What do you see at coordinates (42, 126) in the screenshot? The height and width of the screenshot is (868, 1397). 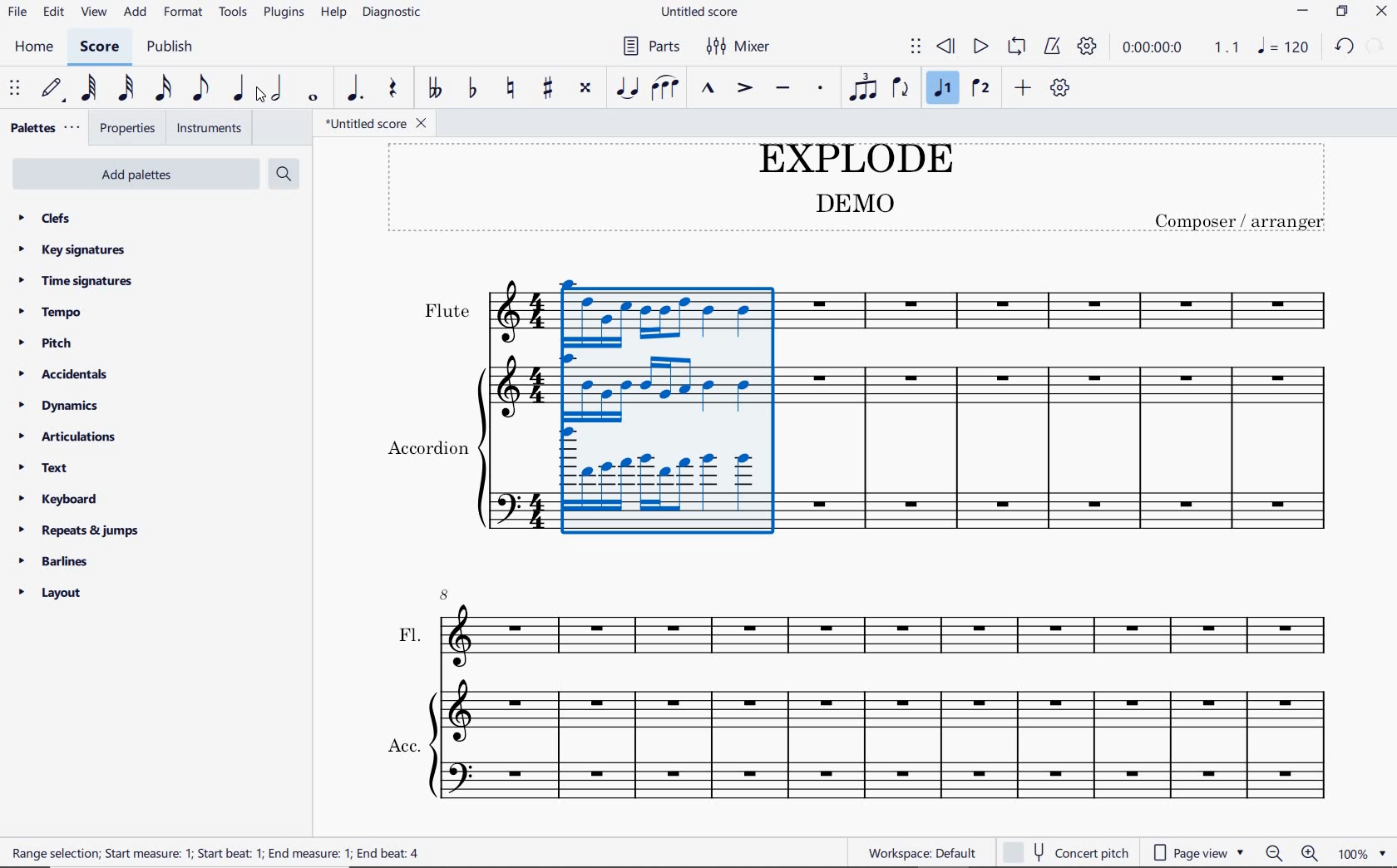 I see `palettes` at bounding box center [42, 126].